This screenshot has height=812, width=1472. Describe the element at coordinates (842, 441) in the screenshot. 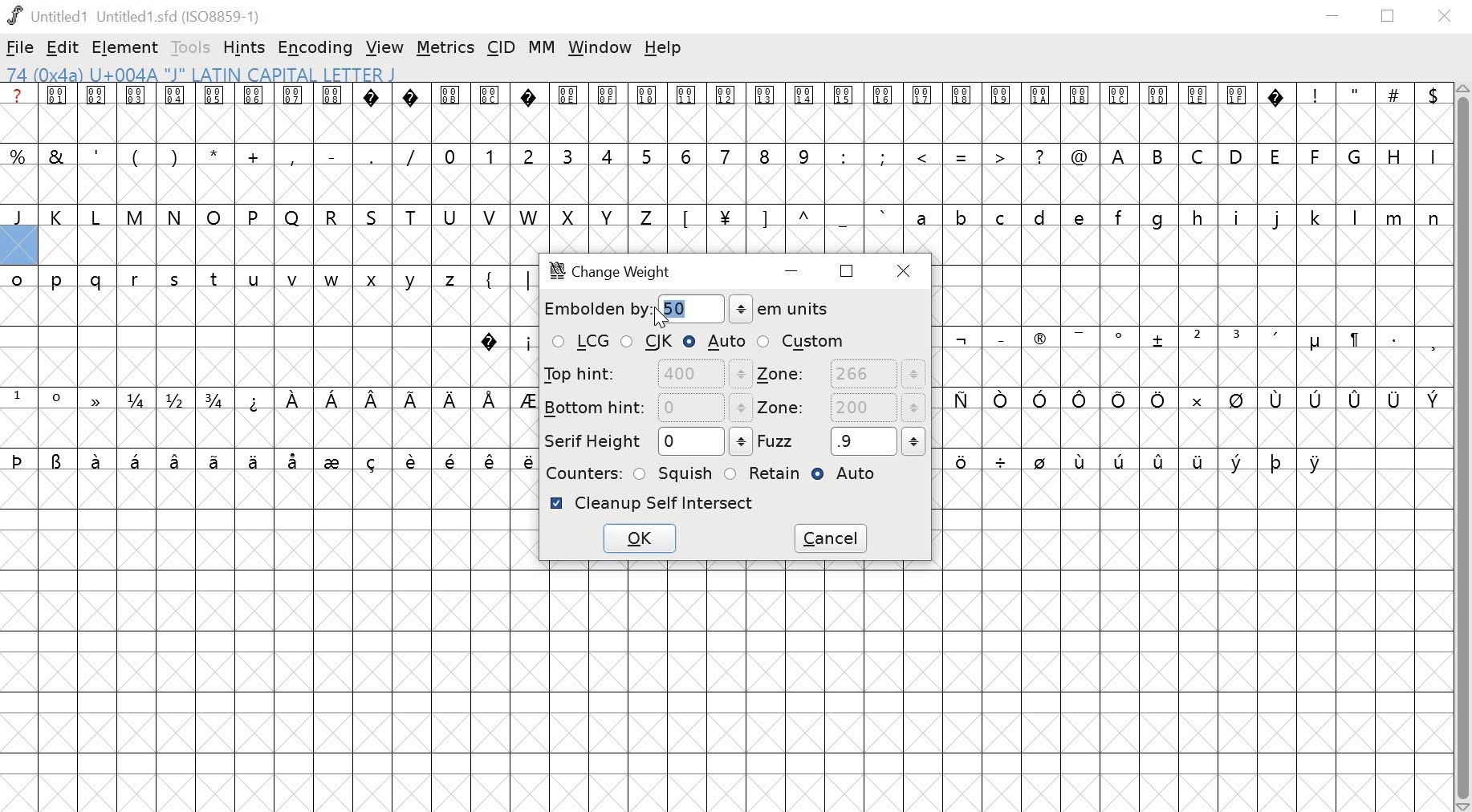

I see `FUZZ` at that location.